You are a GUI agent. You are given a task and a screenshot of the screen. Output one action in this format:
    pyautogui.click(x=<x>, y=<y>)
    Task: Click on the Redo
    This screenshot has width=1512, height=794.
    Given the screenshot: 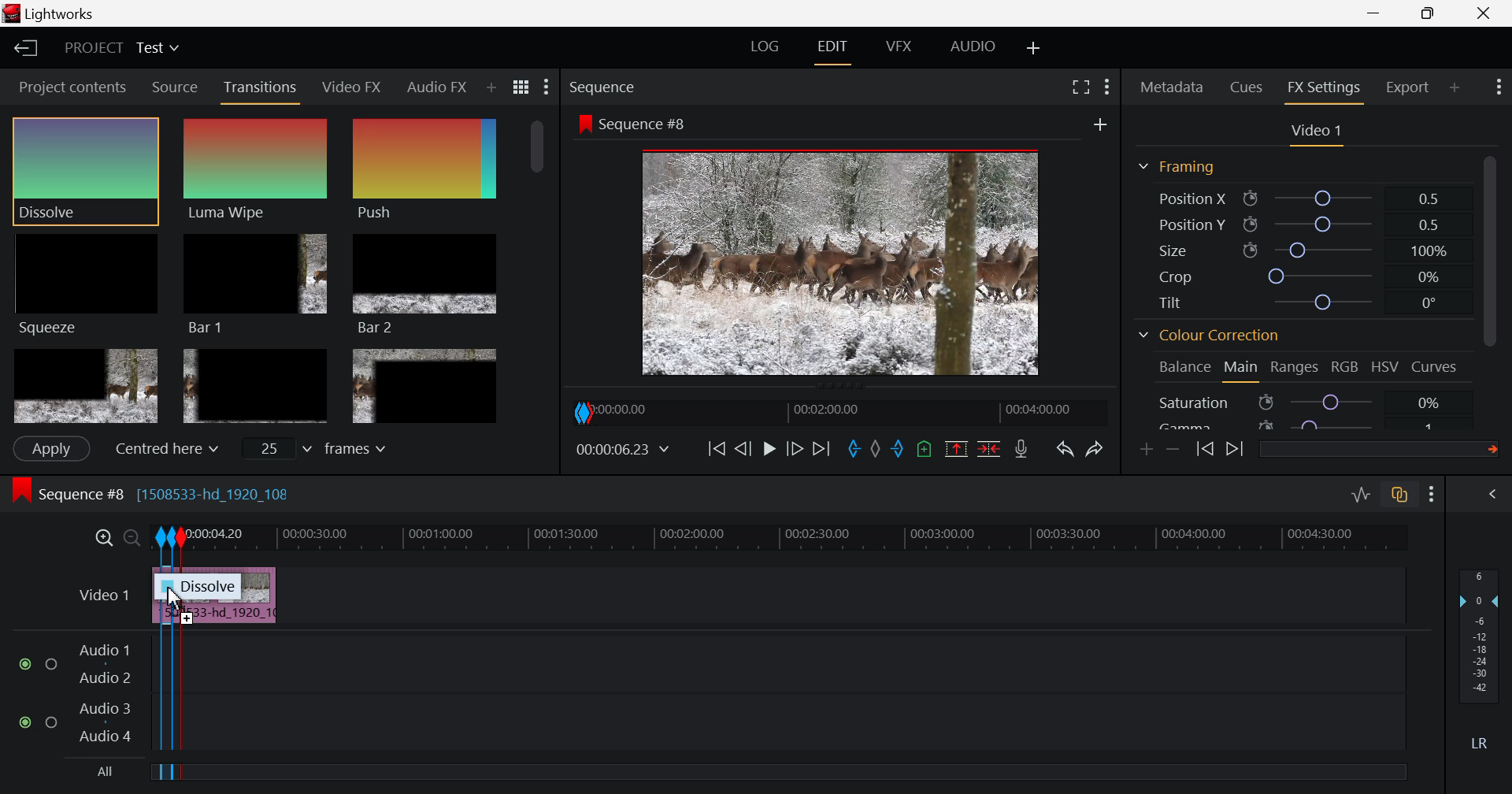 What is the action you would take?
    pyautogui.click(x=1096, y=445)
    